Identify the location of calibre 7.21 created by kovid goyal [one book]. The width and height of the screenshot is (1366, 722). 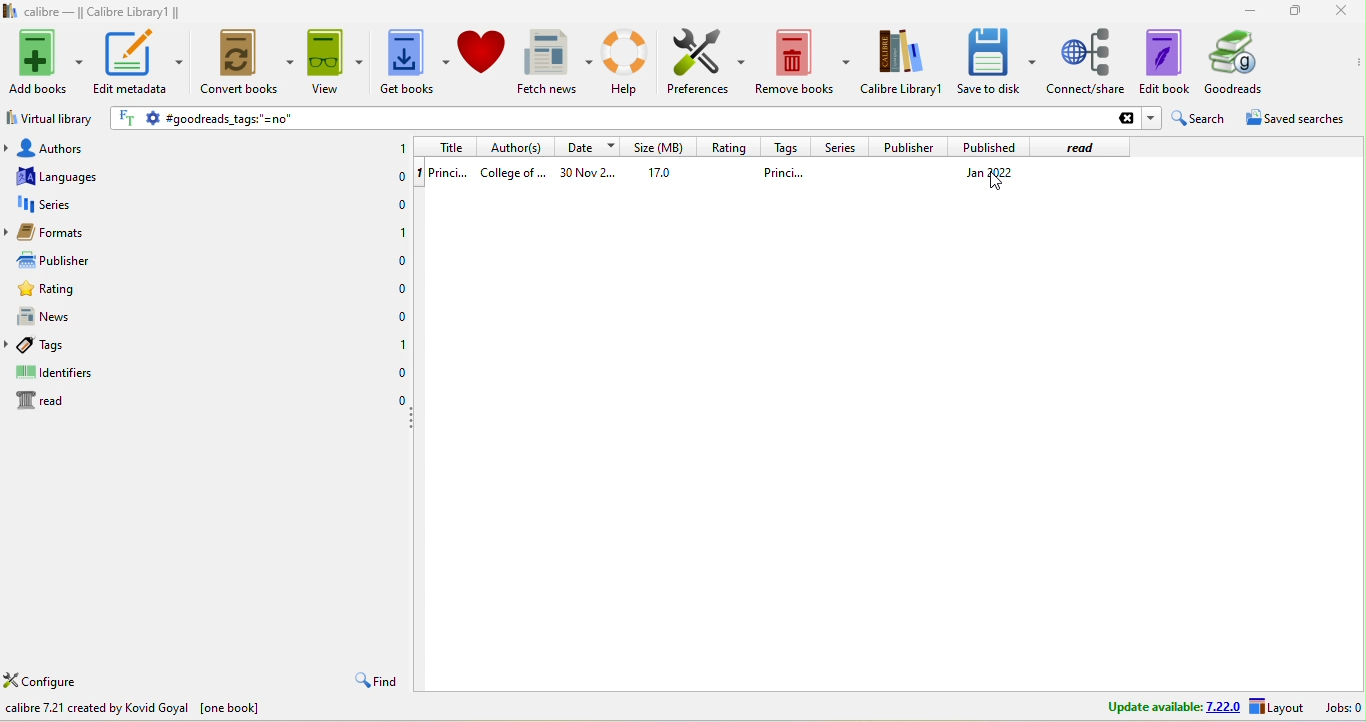
(143, 709).